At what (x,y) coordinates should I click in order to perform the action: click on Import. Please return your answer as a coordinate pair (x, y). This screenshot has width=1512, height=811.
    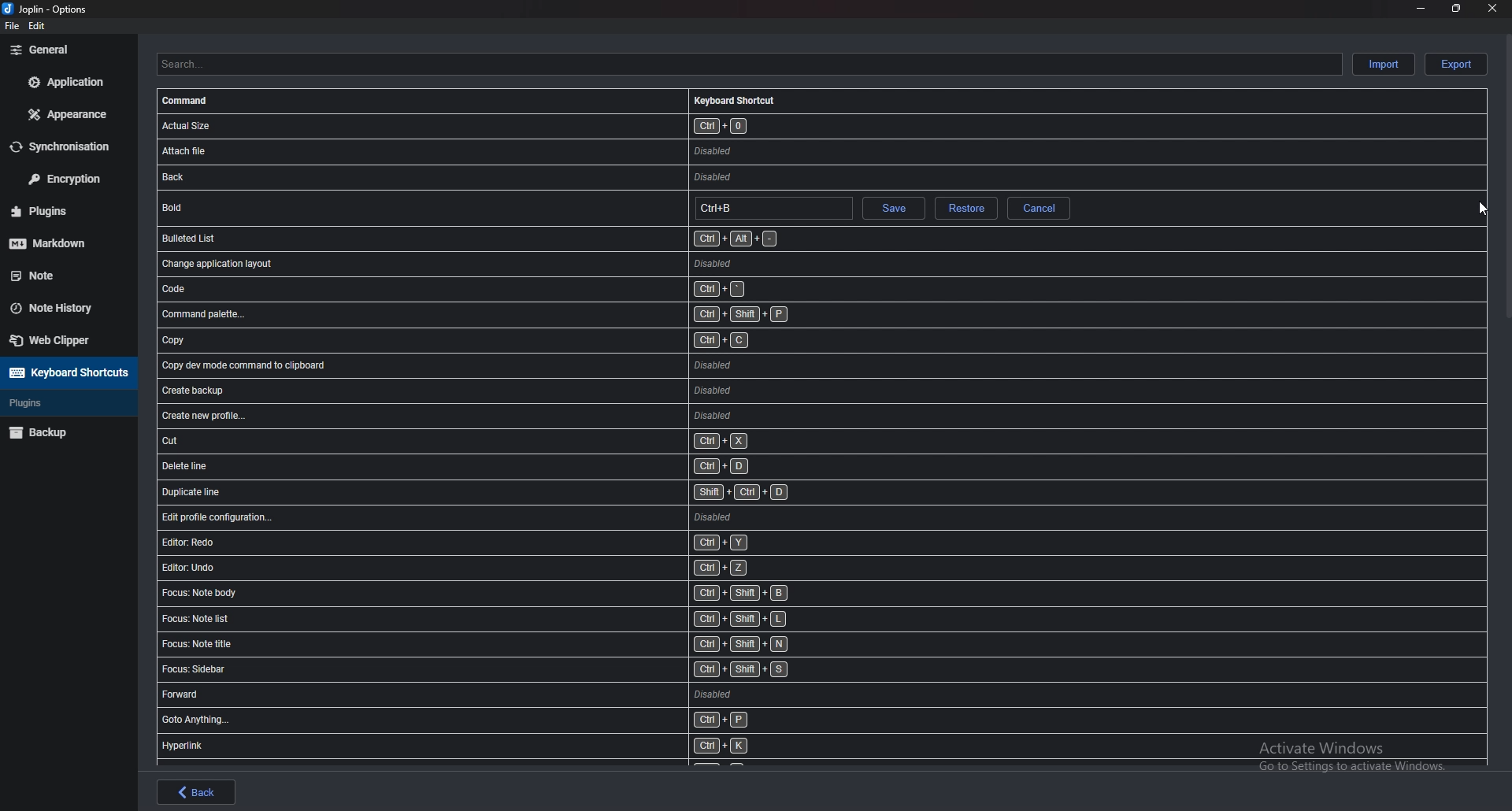
    Looking at the image, I should click on (1384, 65).